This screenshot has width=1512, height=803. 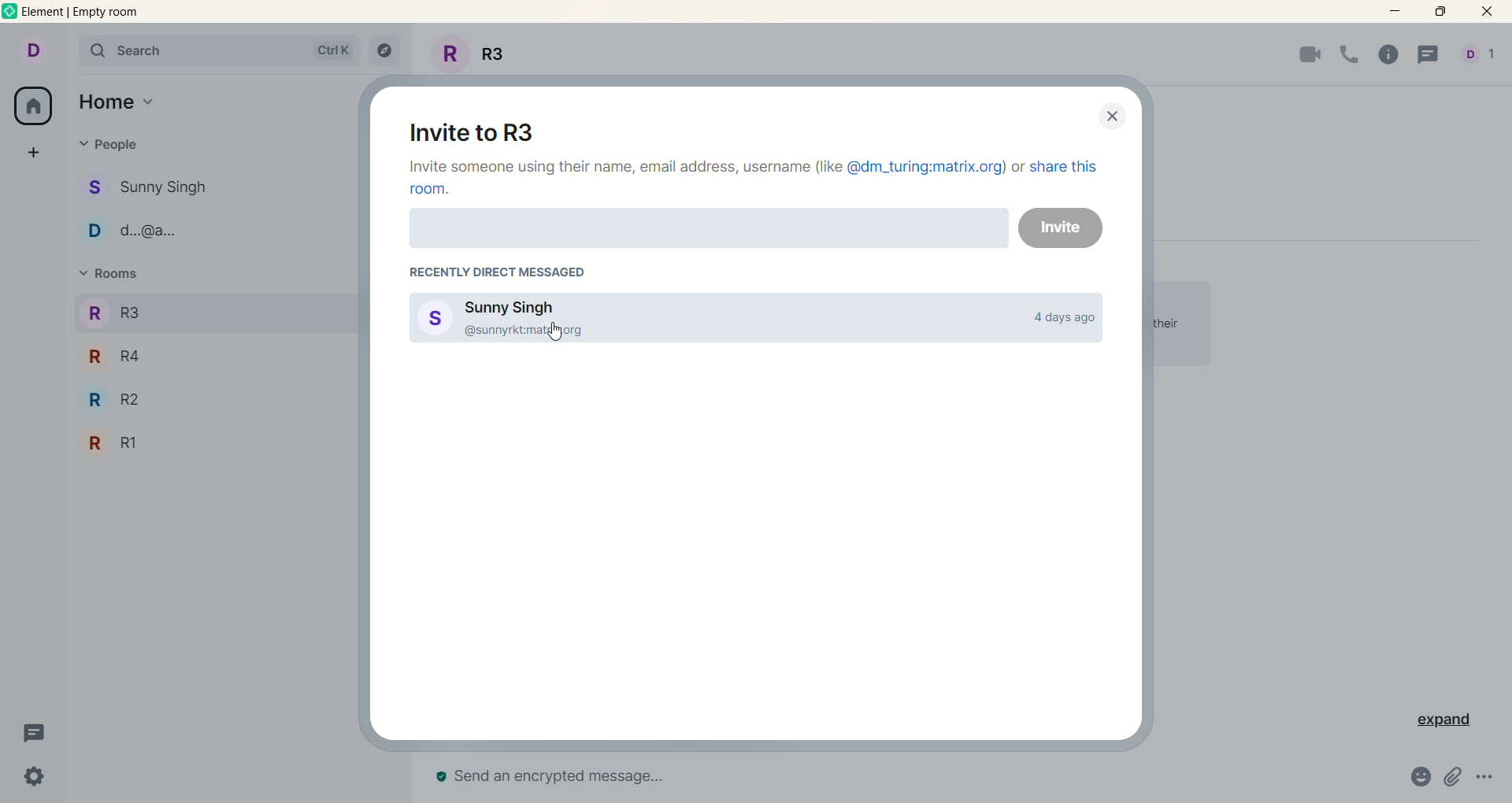 What do you see at coordinates (473, 52) in the screenshot?
I see `Room name` at bounding box center [473, 52].